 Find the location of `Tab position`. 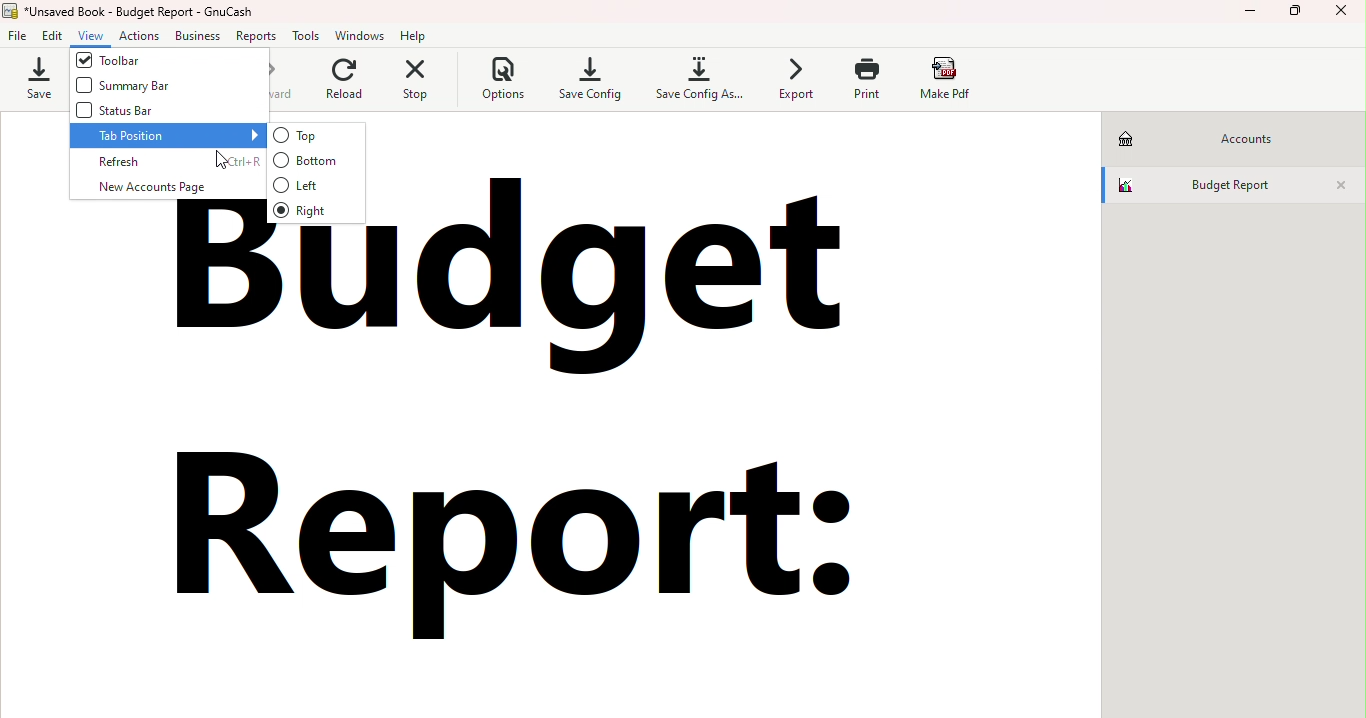

Tab position is located at coordinates (169, 135).